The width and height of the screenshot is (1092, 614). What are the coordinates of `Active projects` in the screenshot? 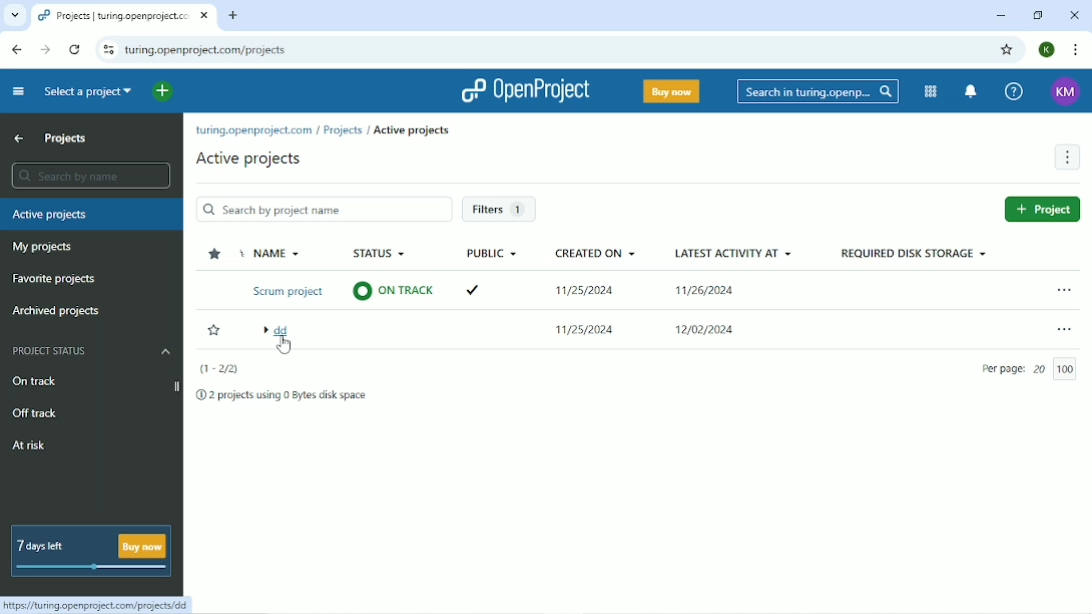 It's located at (251, 158).